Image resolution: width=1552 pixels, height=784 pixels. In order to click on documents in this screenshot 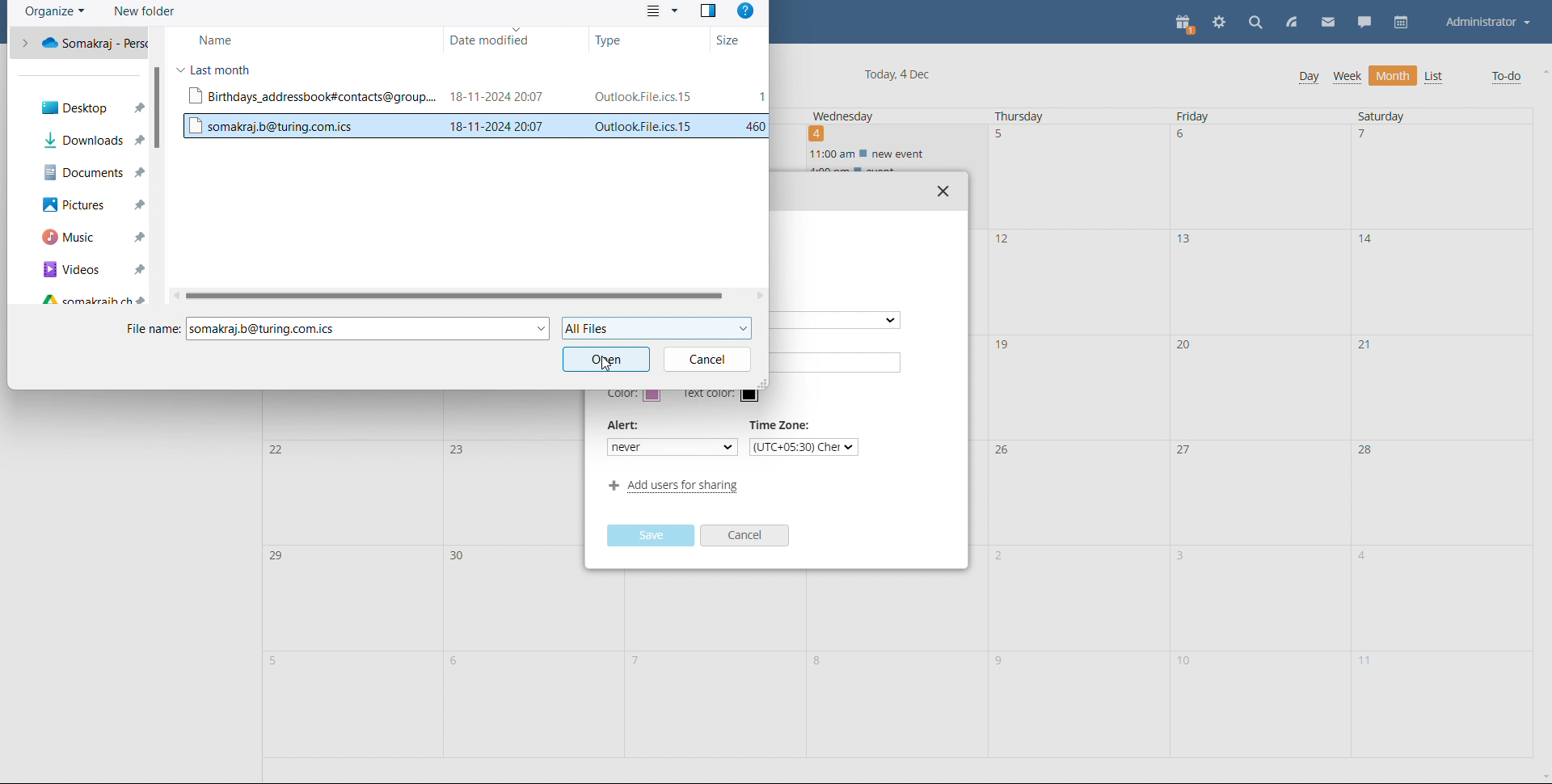, I will do `click(89, 172)`.